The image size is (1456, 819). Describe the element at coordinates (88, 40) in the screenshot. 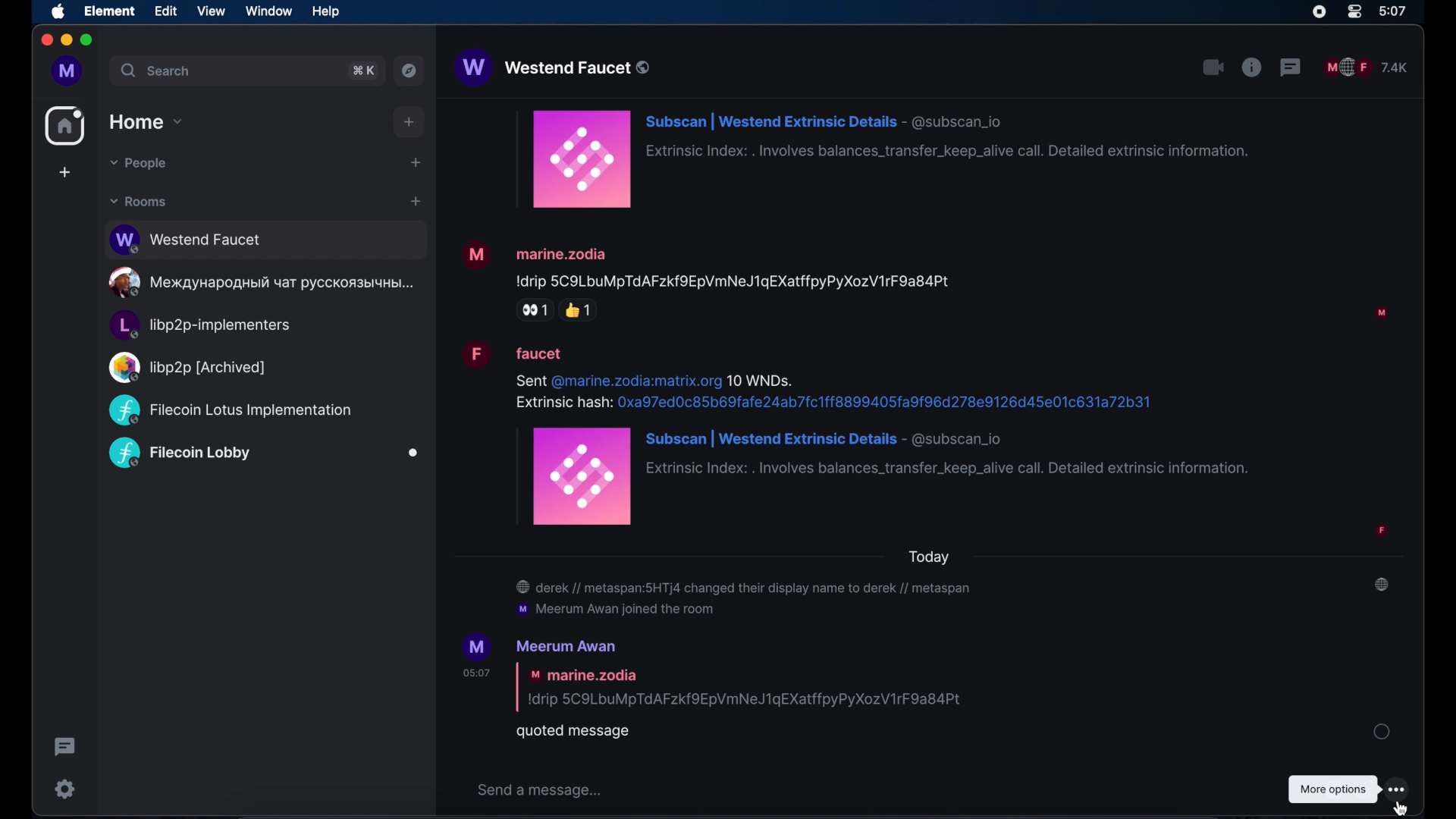

I see `maximize` at that location.